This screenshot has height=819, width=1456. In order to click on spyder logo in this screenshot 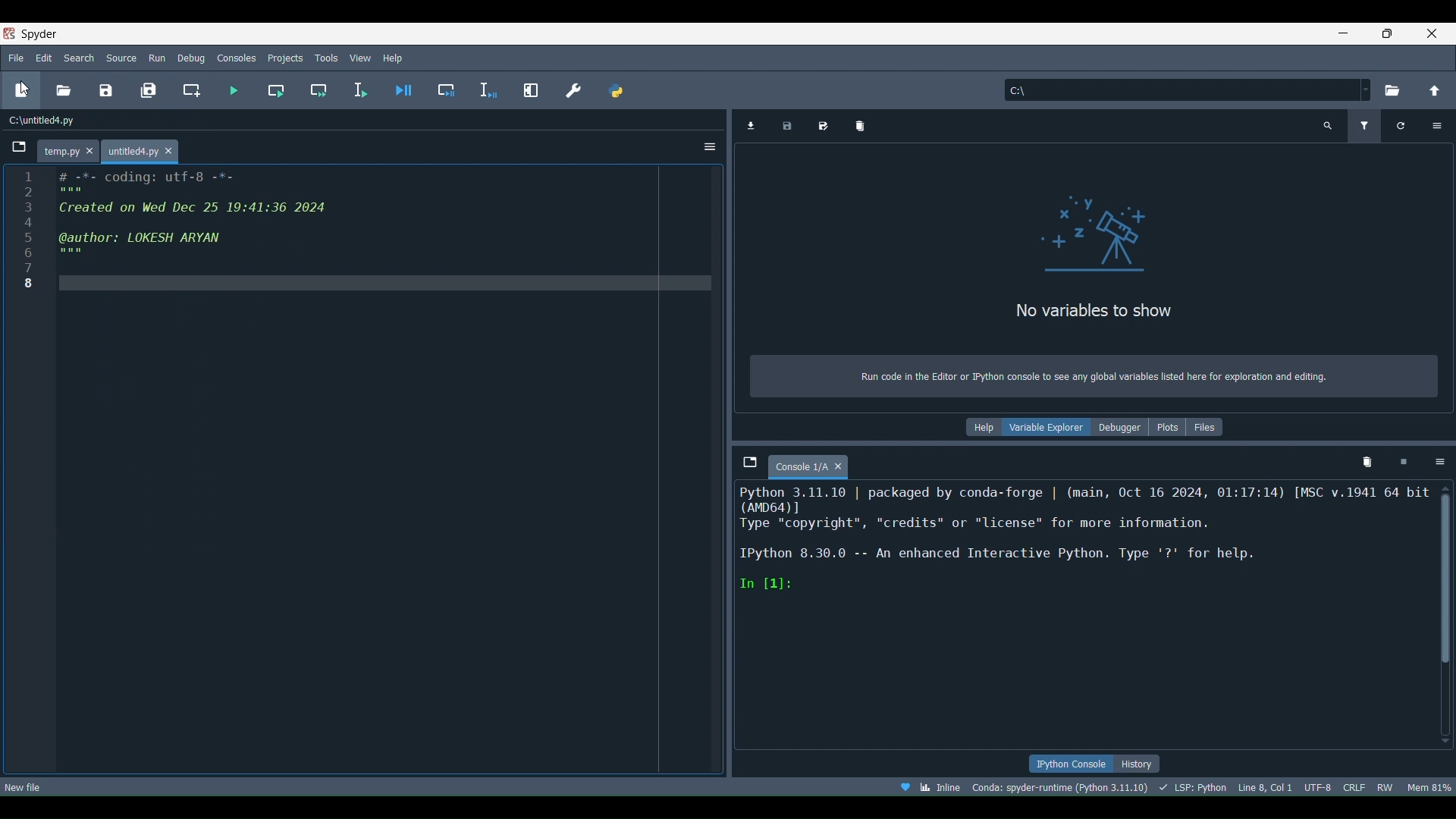, I will do `click(36, 33)`.